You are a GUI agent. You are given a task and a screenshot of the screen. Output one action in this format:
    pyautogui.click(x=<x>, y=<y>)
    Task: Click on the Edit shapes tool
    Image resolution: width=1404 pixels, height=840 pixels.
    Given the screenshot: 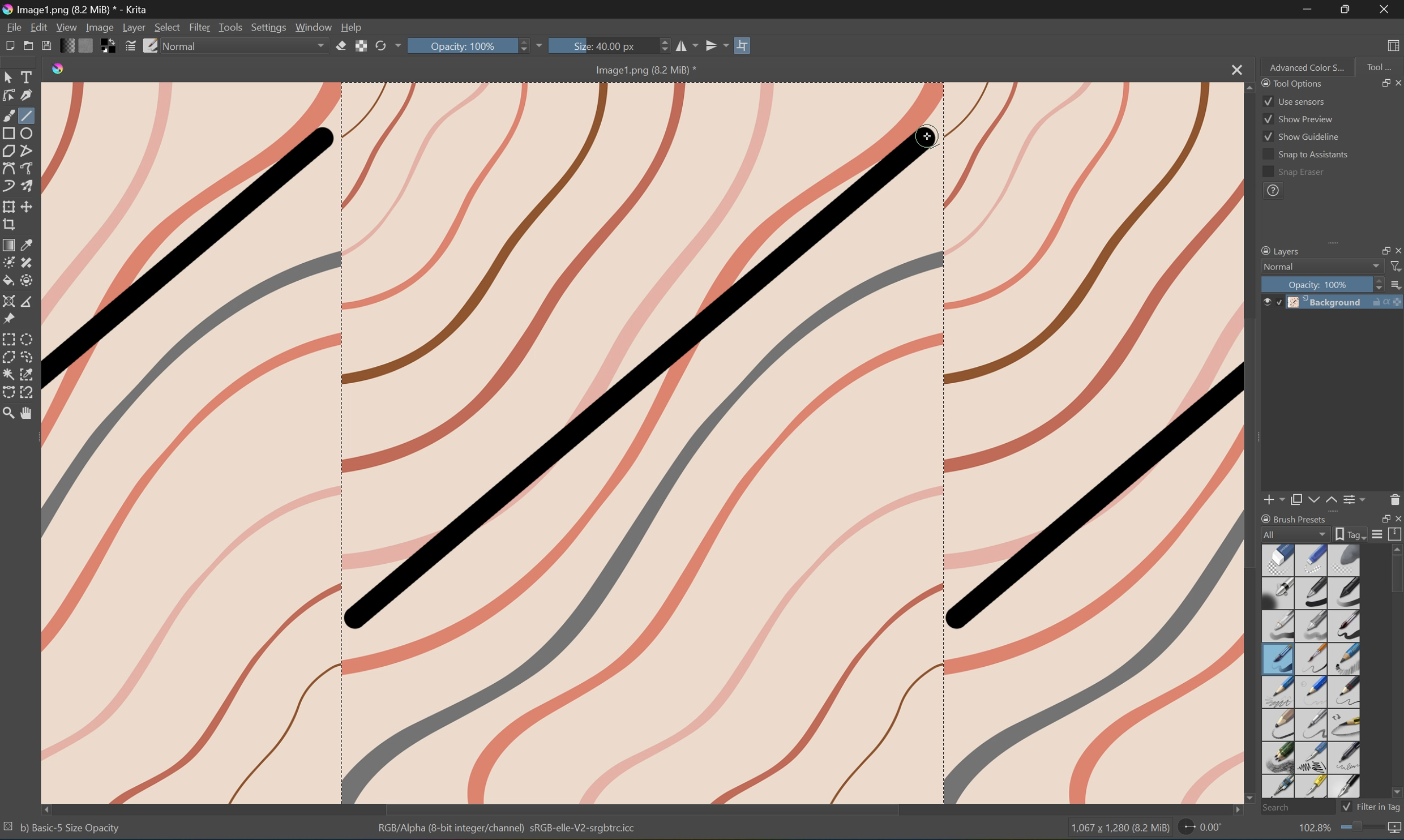 What is the action you would take?
    pyautogui.click(x=9, y=96)
    